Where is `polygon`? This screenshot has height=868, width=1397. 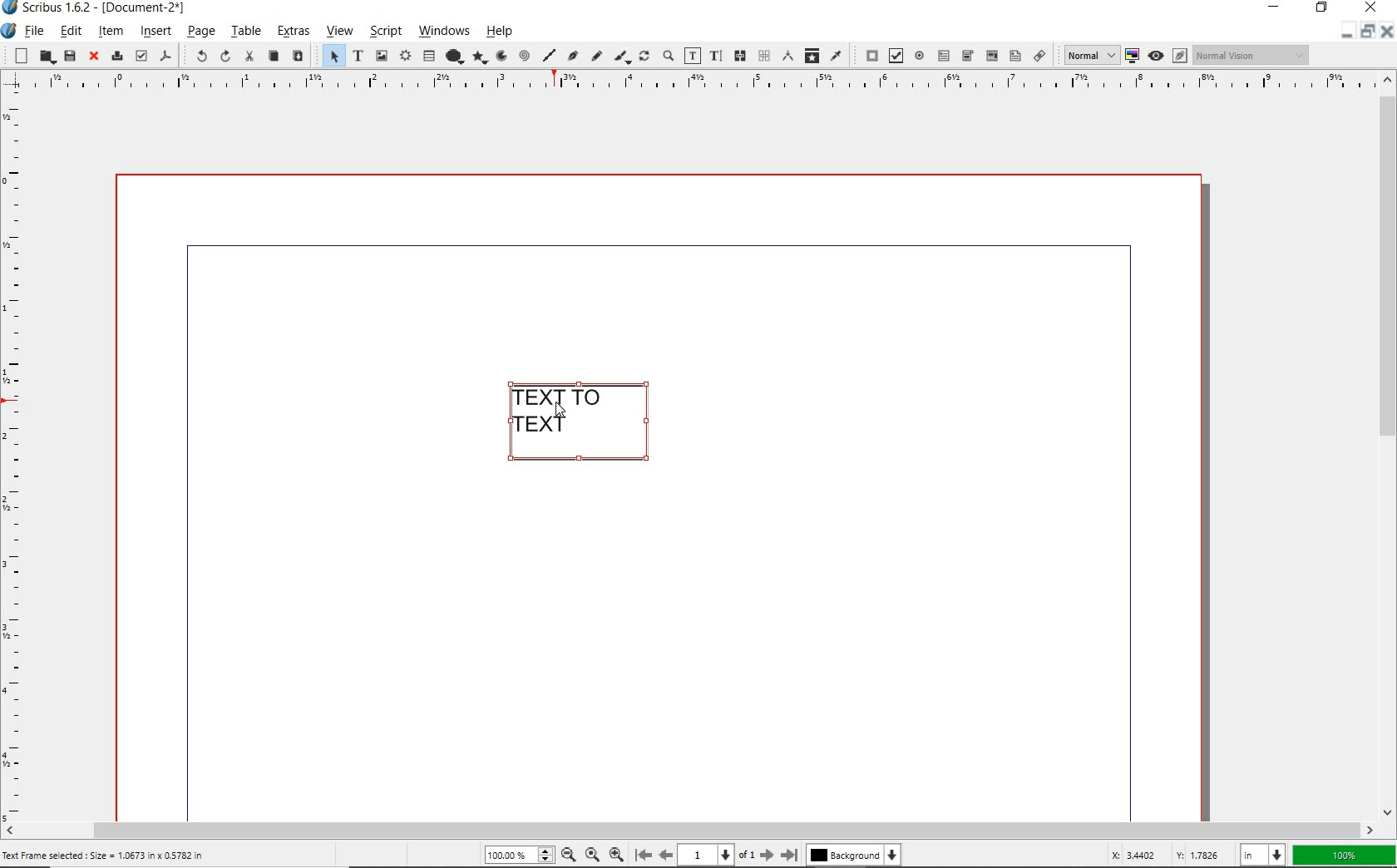 polygon is located at coordinates (480, 58).